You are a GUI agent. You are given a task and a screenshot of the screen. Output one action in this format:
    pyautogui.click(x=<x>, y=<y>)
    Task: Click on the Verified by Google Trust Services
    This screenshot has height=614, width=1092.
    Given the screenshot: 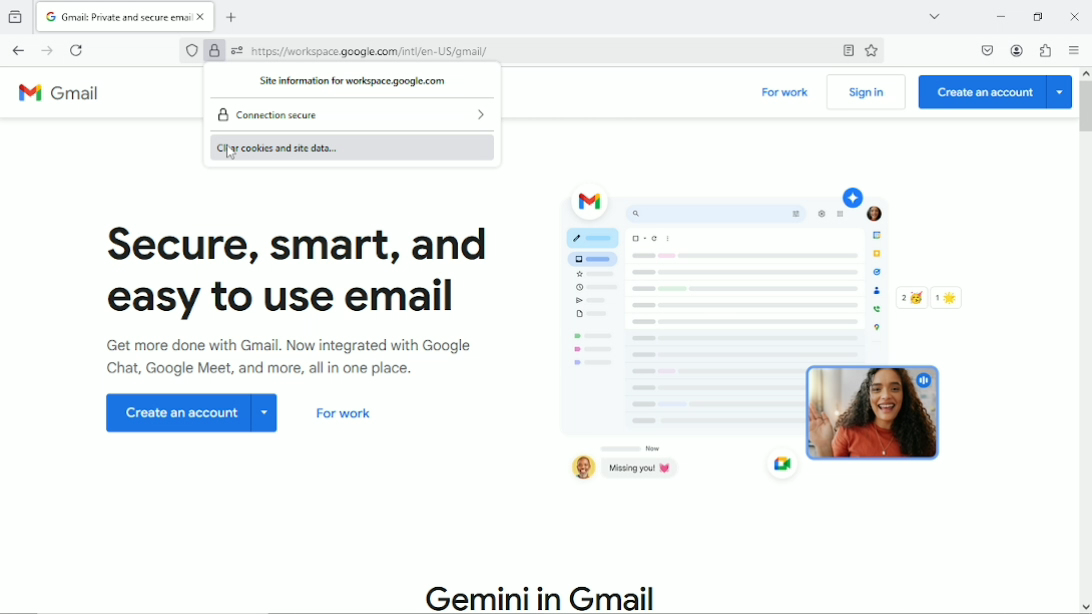 What is the action you would take?
    pyautogui.click(x=215, y=52)
    